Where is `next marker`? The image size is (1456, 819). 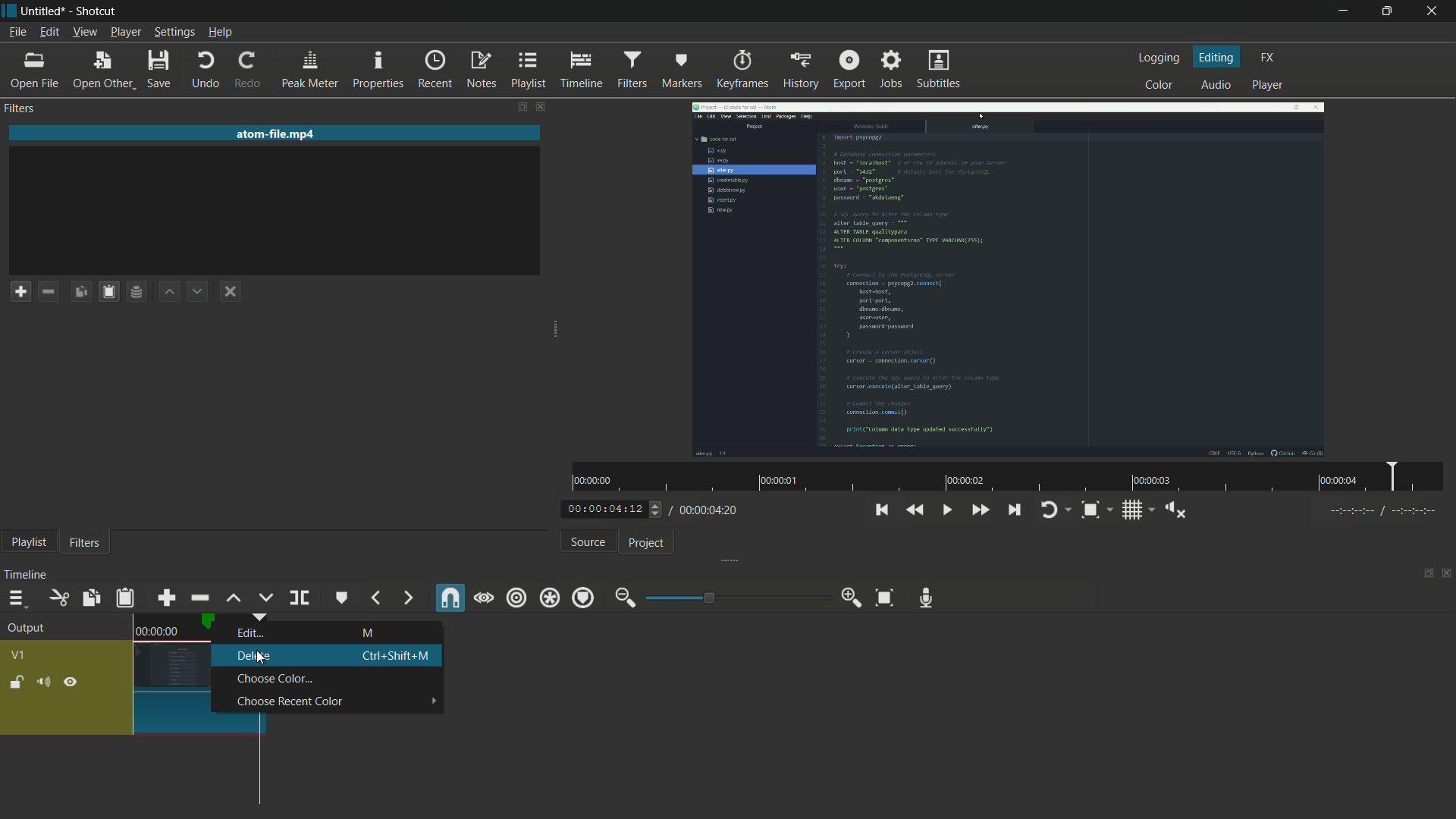 next marker is located at coordinates (408, 598).